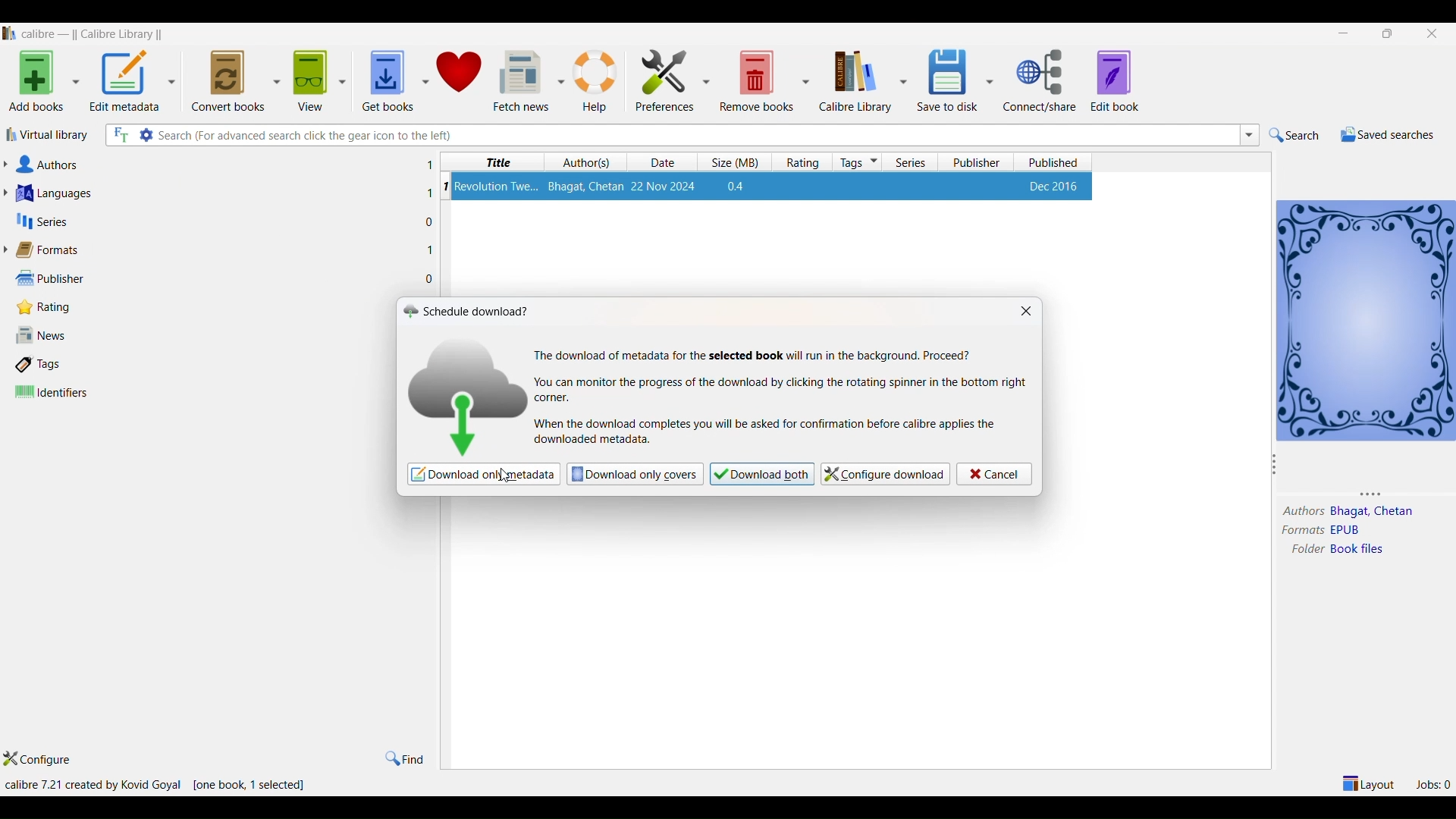 The image size is (1456, 819). Describe the element at coordinates (9, 32) in the screenshot. I see `logo` at that location.